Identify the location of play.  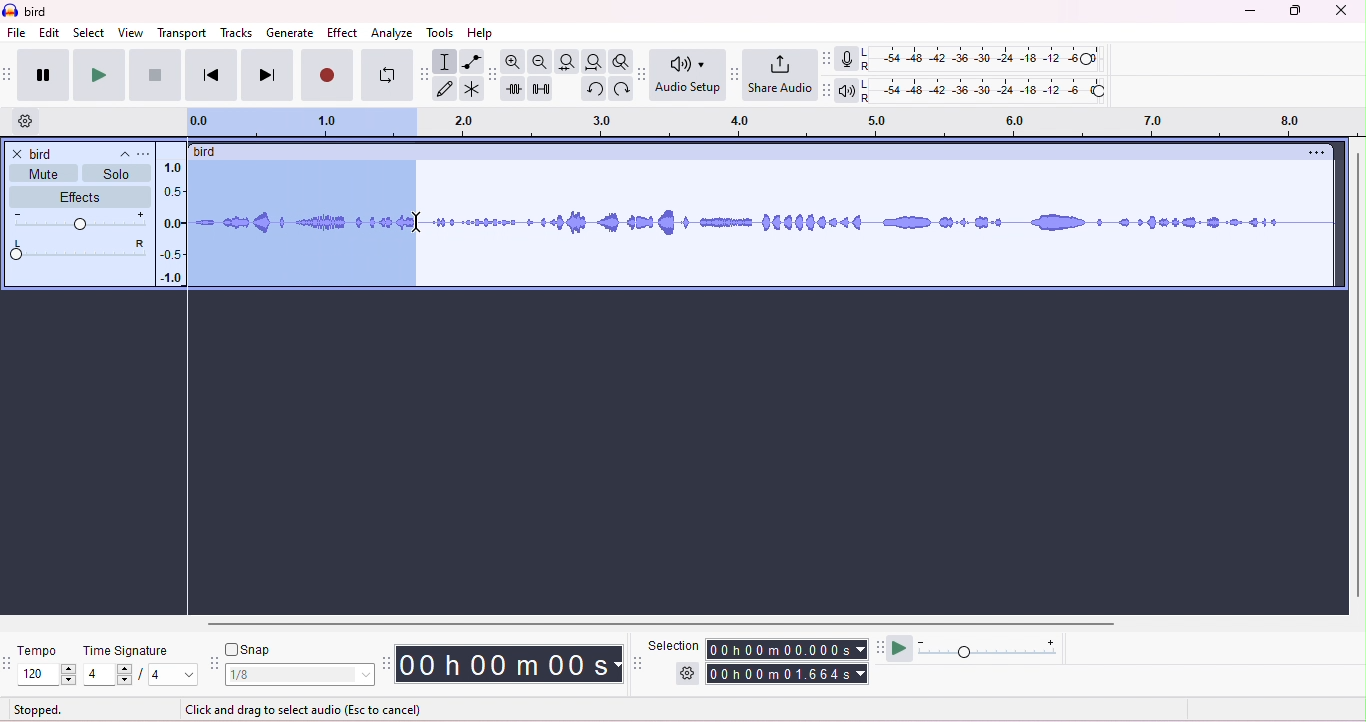
(99, 76).